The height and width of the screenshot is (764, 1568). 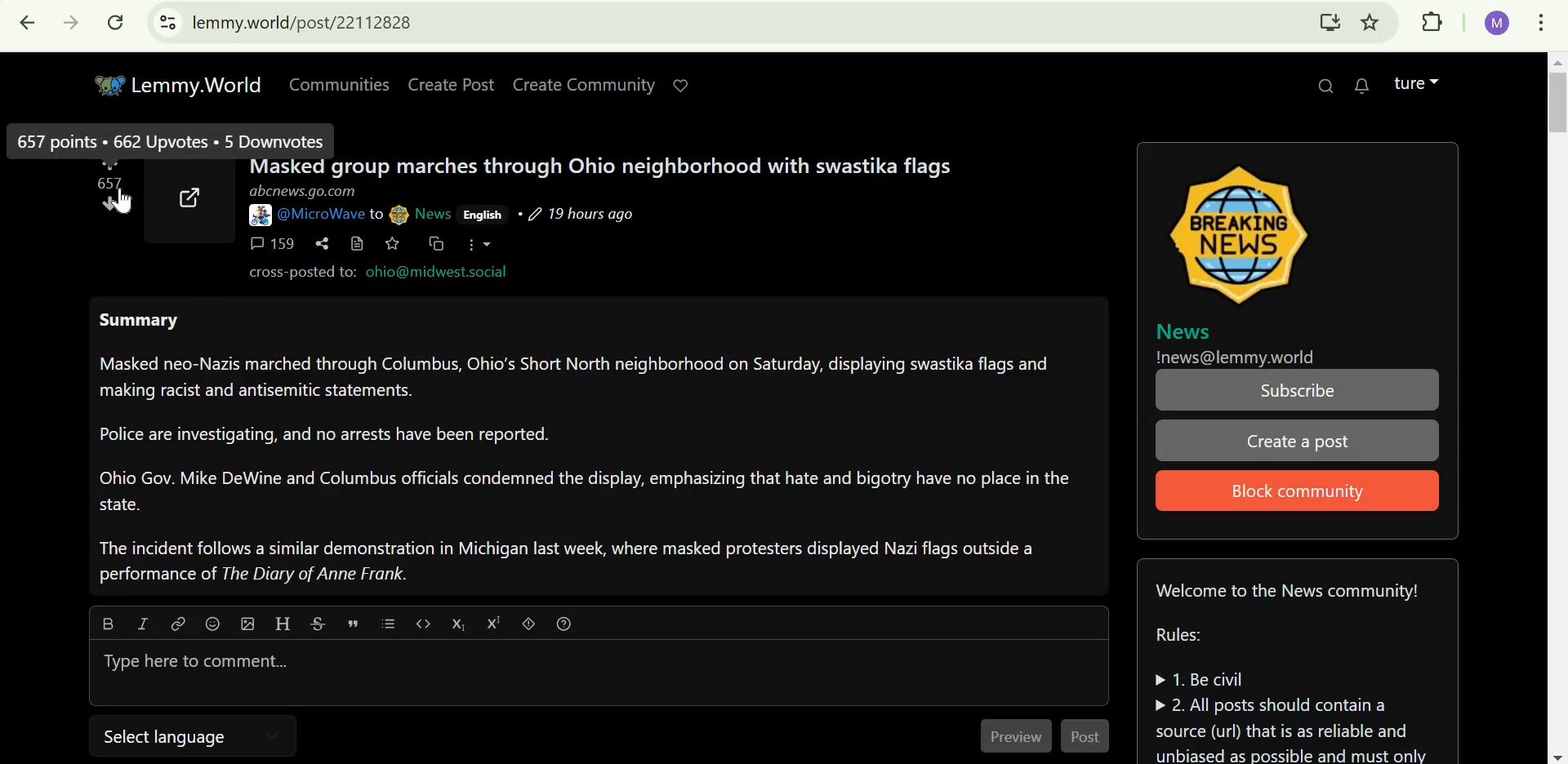 What do you see at coordinates (247, 622) in the screenshot?
I see `upload image` at bounding box center [247, 622].